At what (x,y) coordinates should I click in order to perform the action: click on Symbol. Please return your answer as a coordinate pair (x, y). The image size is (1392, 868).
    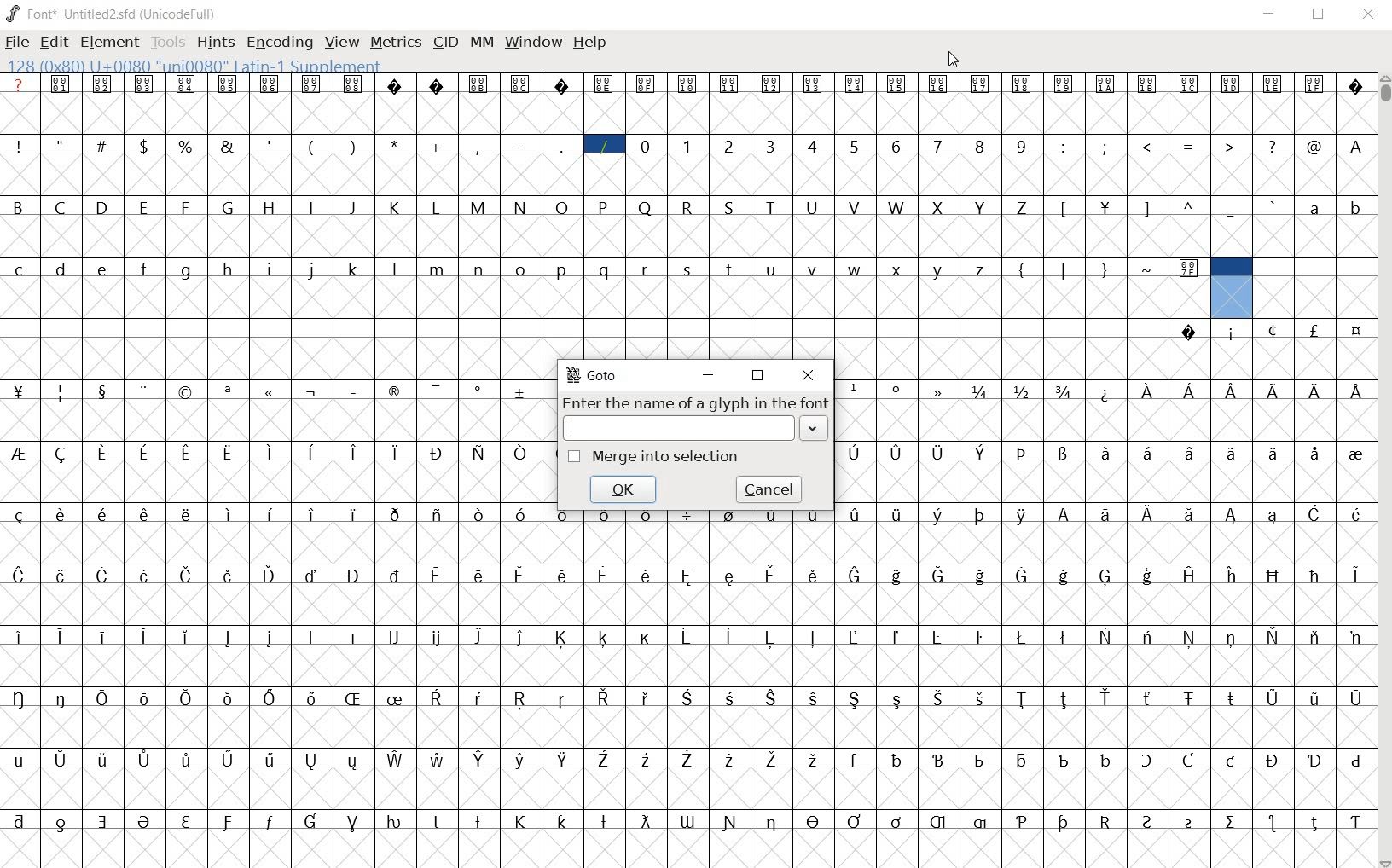
    Looking at the image, I should click on (1356, 697).